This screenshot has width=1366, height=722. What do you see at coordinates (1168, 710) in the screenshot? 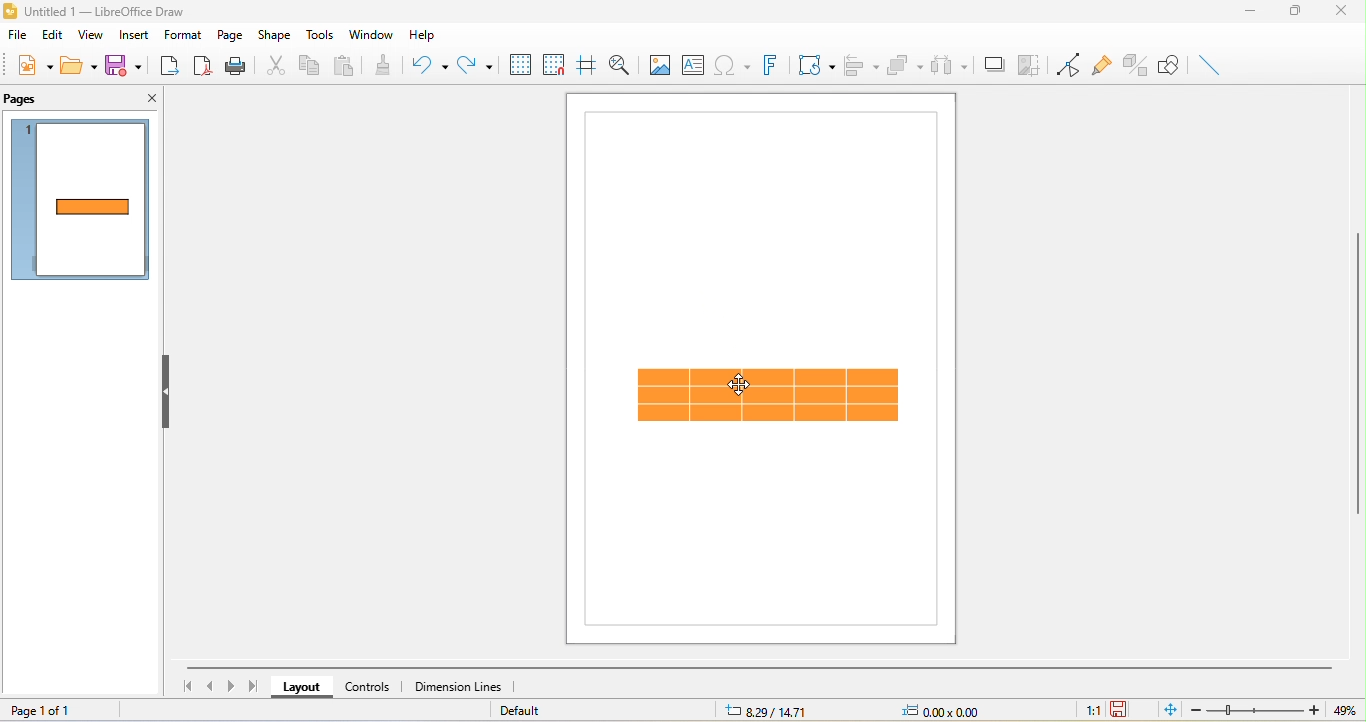
I see `fit page to current window` at bounding box center [1168, 710].